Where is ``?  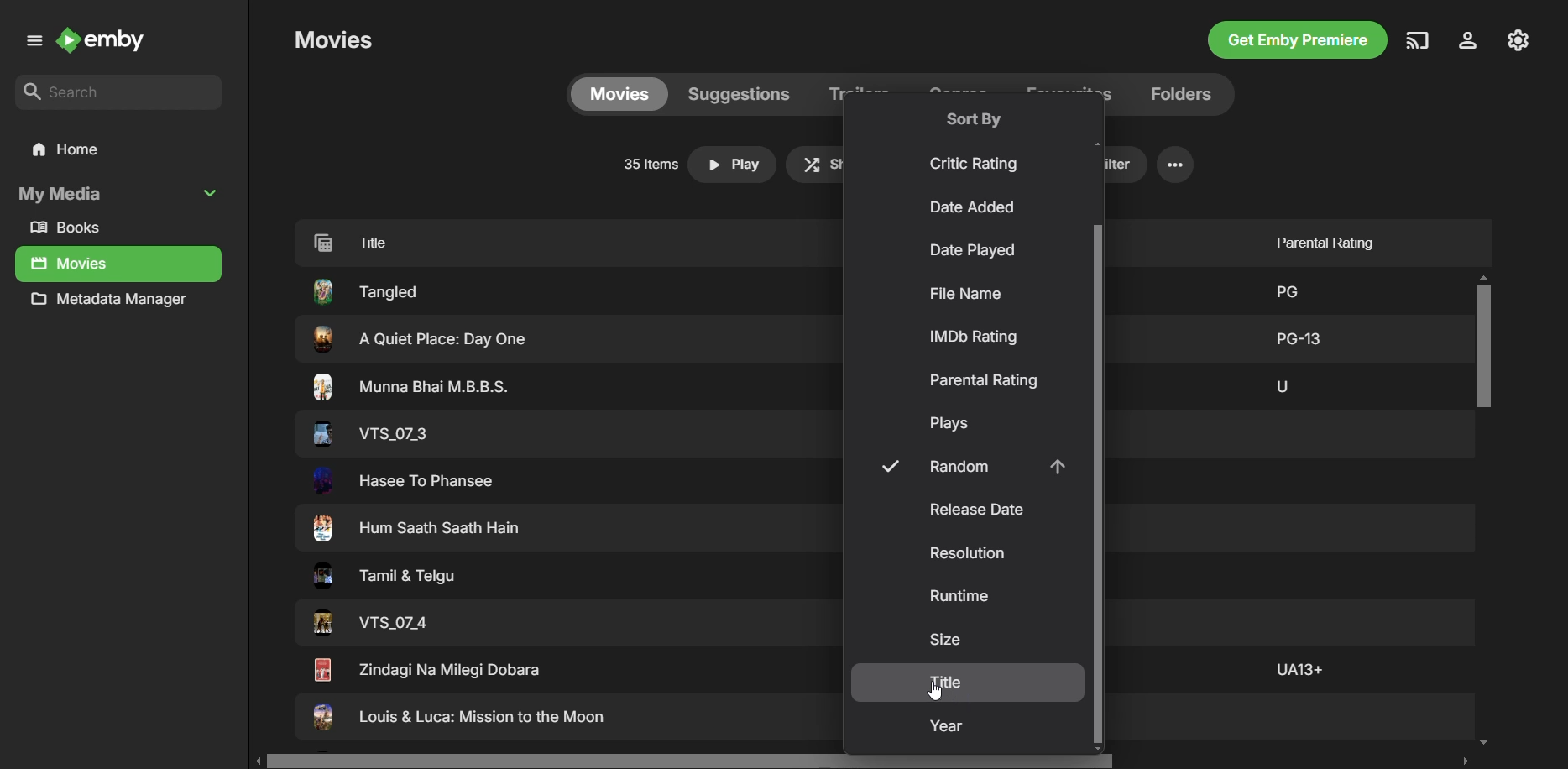
 is located at coordinates (371, 624).